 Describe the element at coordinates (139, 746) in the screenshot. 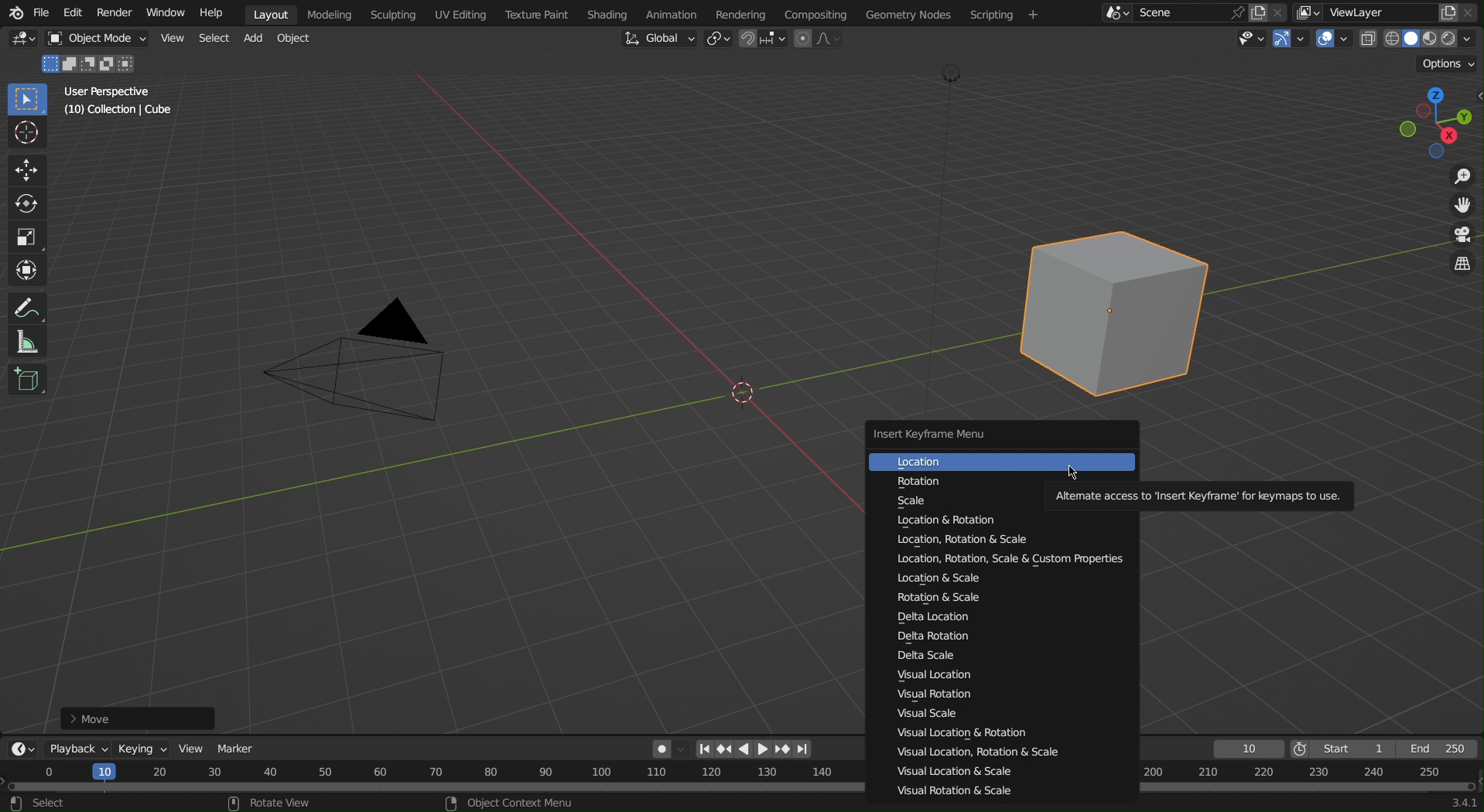

I see `Keying` at that location.